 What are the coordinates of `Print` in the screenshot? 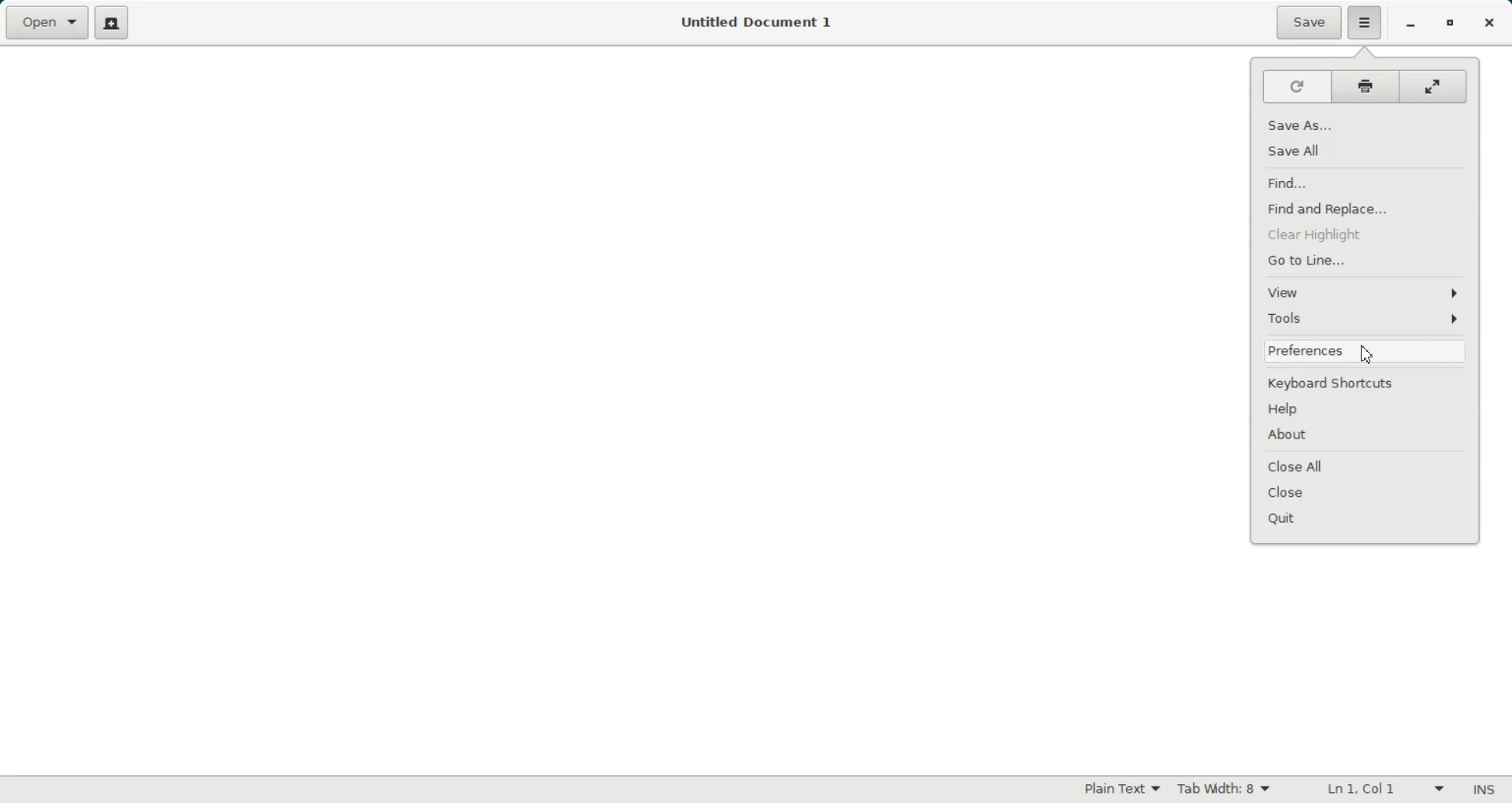 It's located at (1368, 87).